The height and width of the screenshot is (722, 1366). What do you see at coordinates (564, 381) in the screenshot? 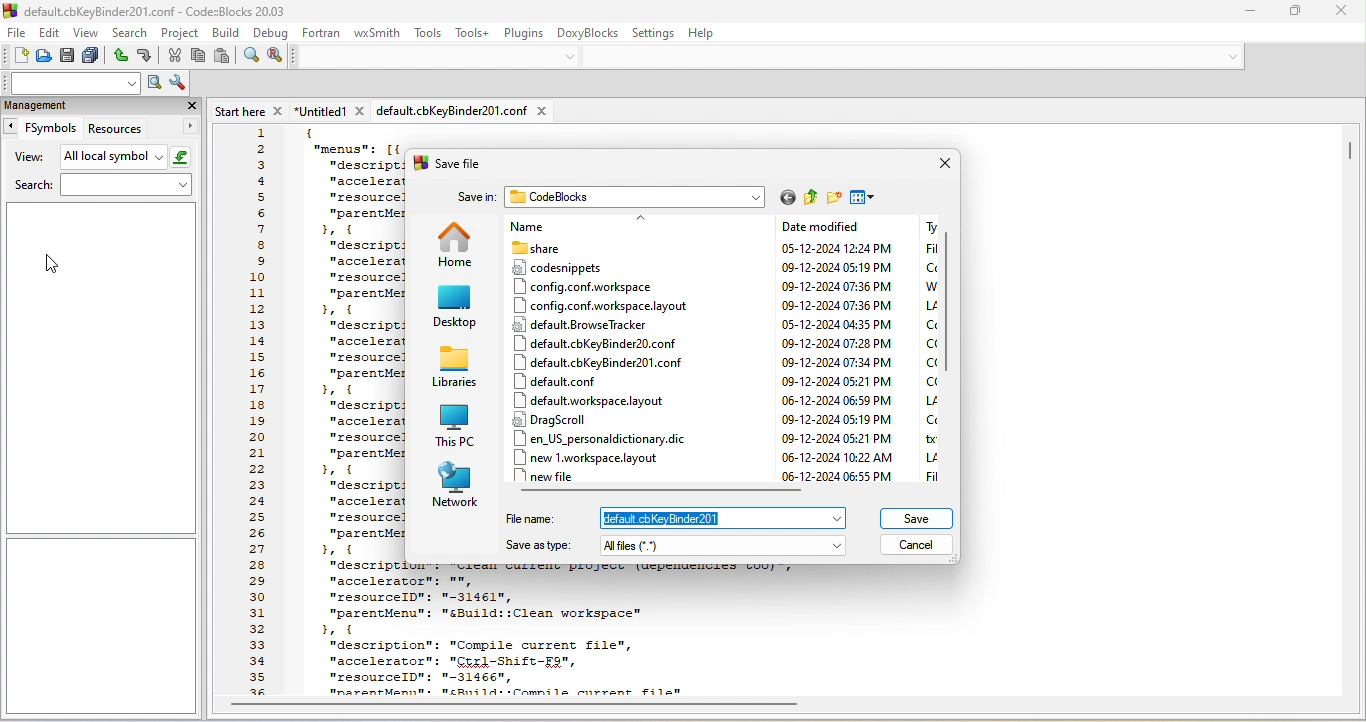
I see `default conf` at bounding box center [564, 381].